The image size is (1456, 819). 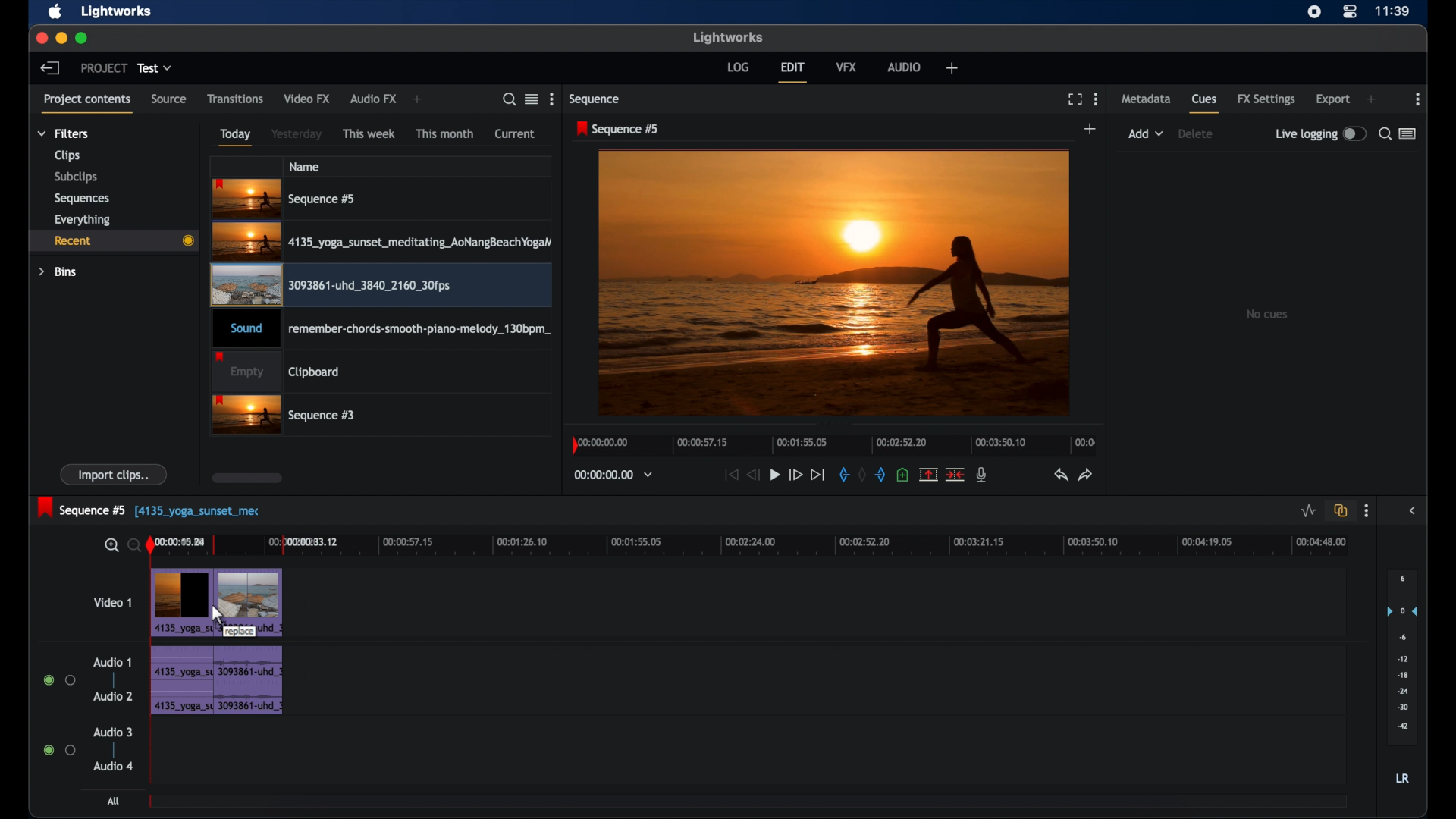 What do you see at coordinates (902, 474) in the screenshot?
I see `add cue at current position` at bounding box center [902, 474].